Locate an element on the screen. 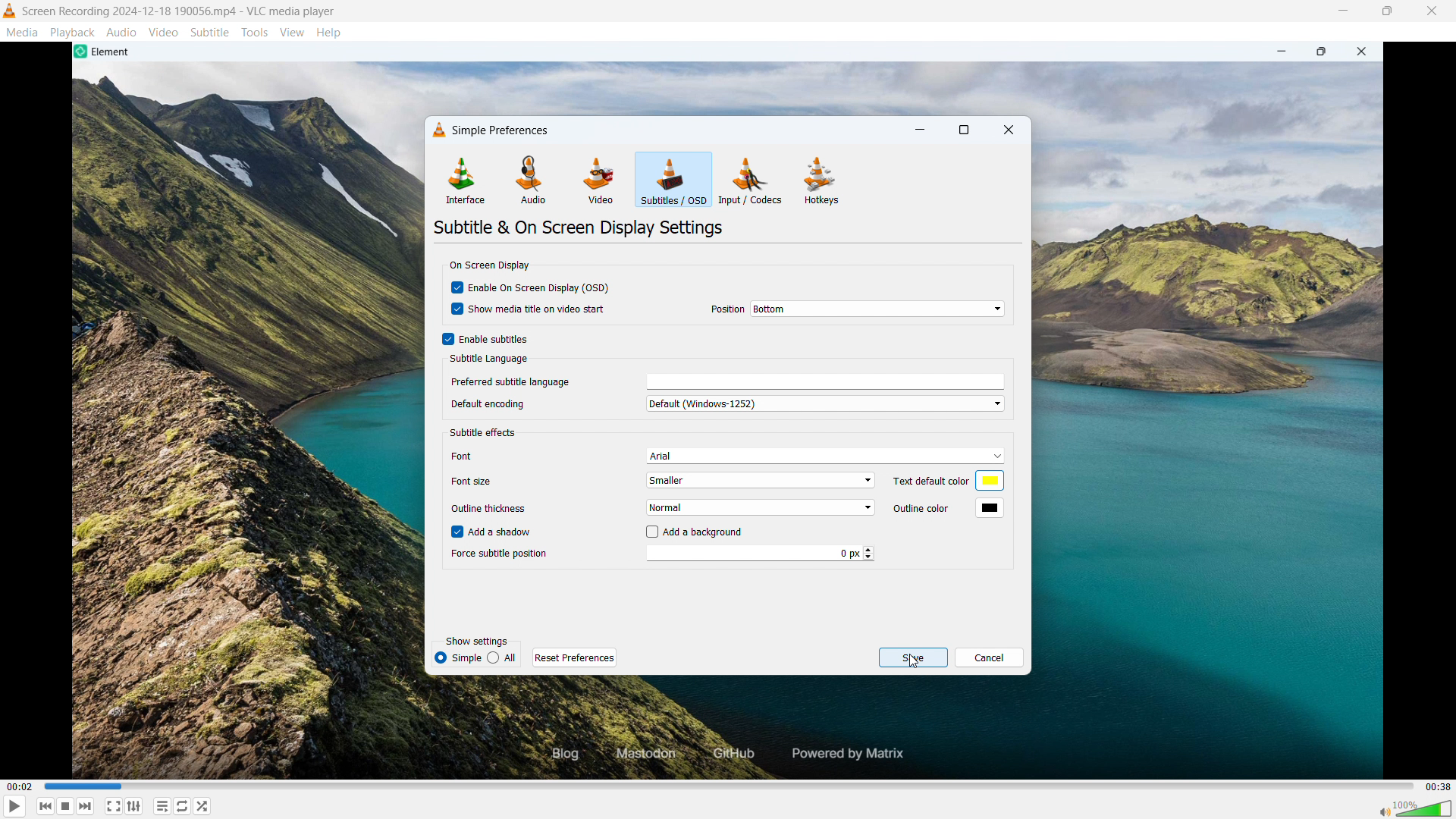  Video  is located at coordinates (163, 33).